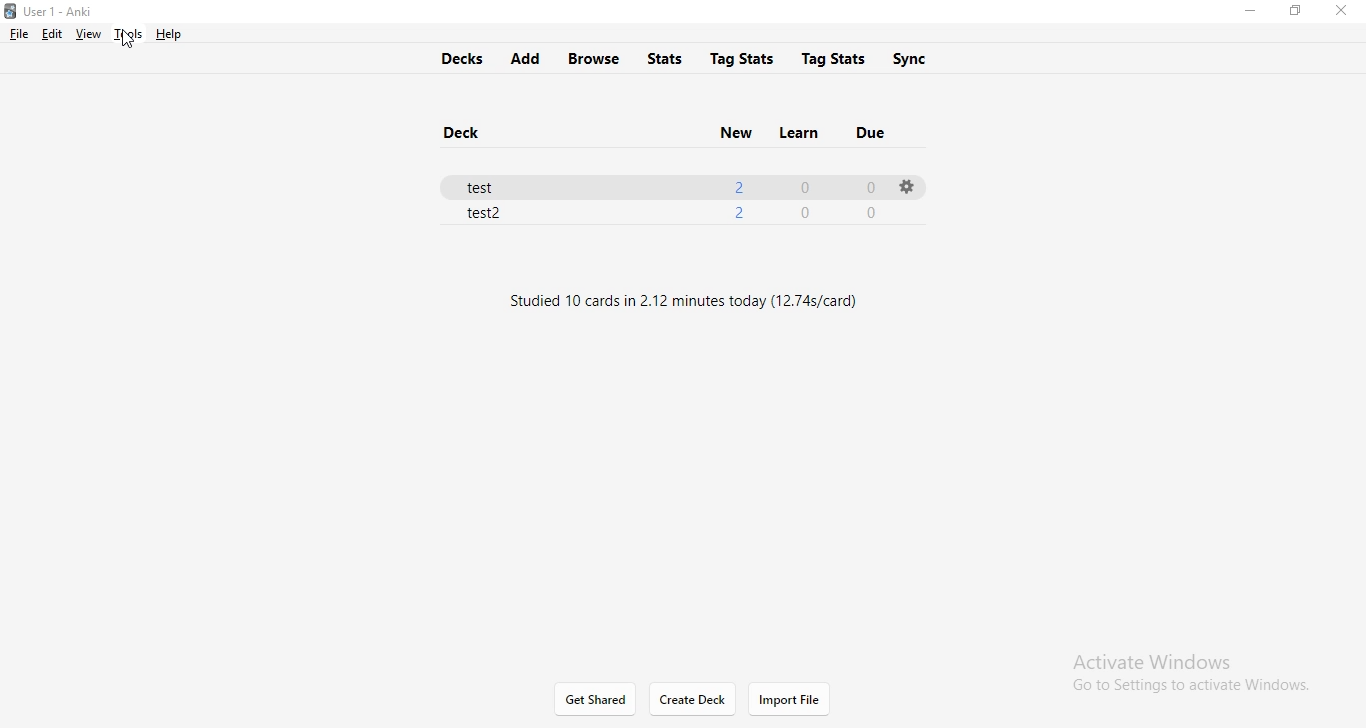 The width and height of the screenshot is (1366, 728). What do you see at coordinates (1294, 11) in the screenshot?
I see `restore` at bounding box center [1294, 11].